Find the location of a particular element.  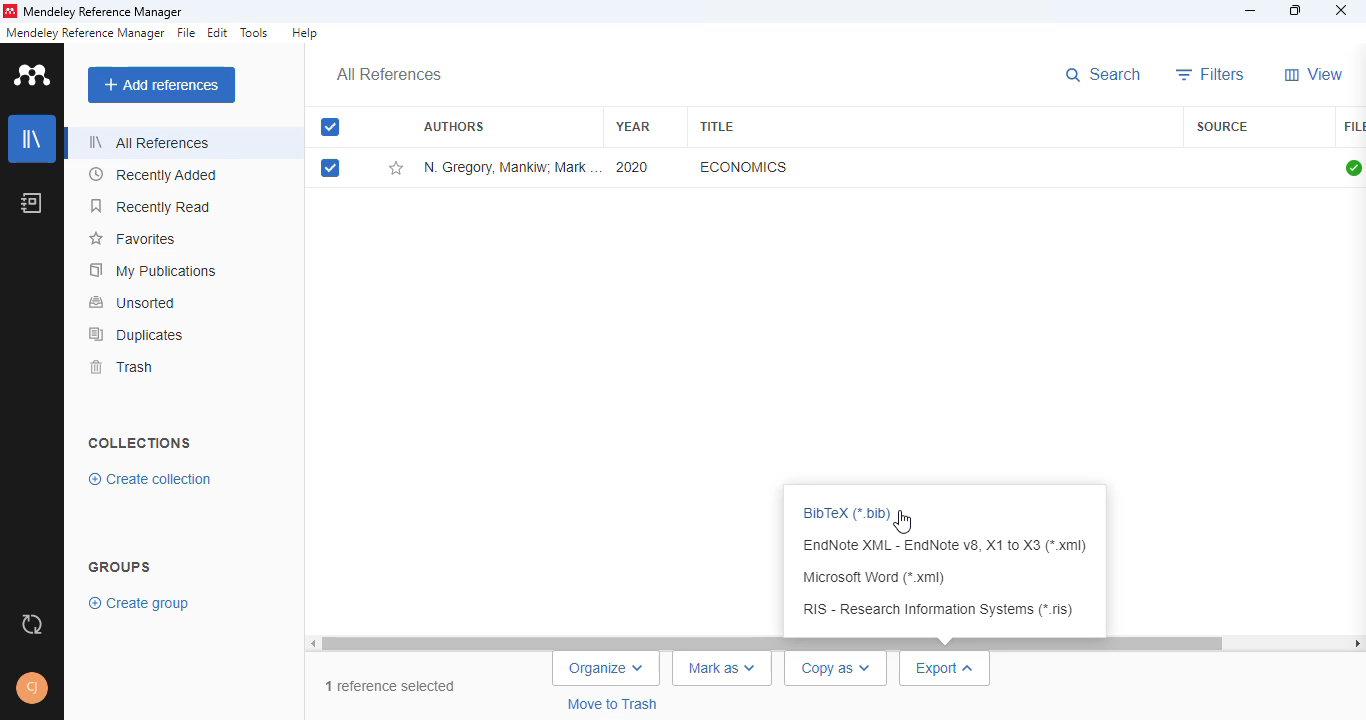

EndNote XML - EndNote v8, X1 to X3 (*.xml) is located at coordinates (946, 546).